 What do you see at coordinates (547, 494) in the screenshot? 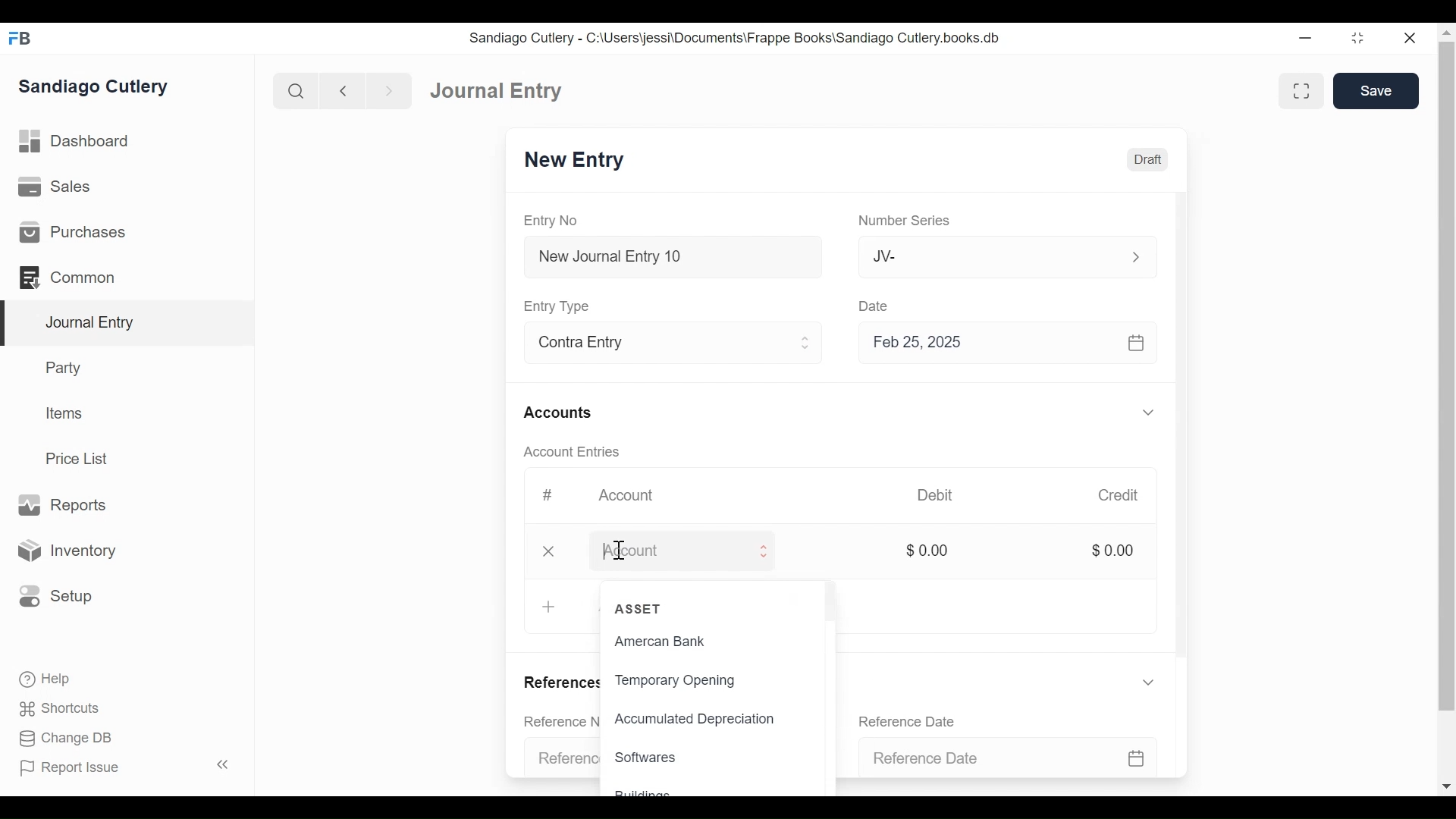
I see `#` at bounding box center [547, 494].